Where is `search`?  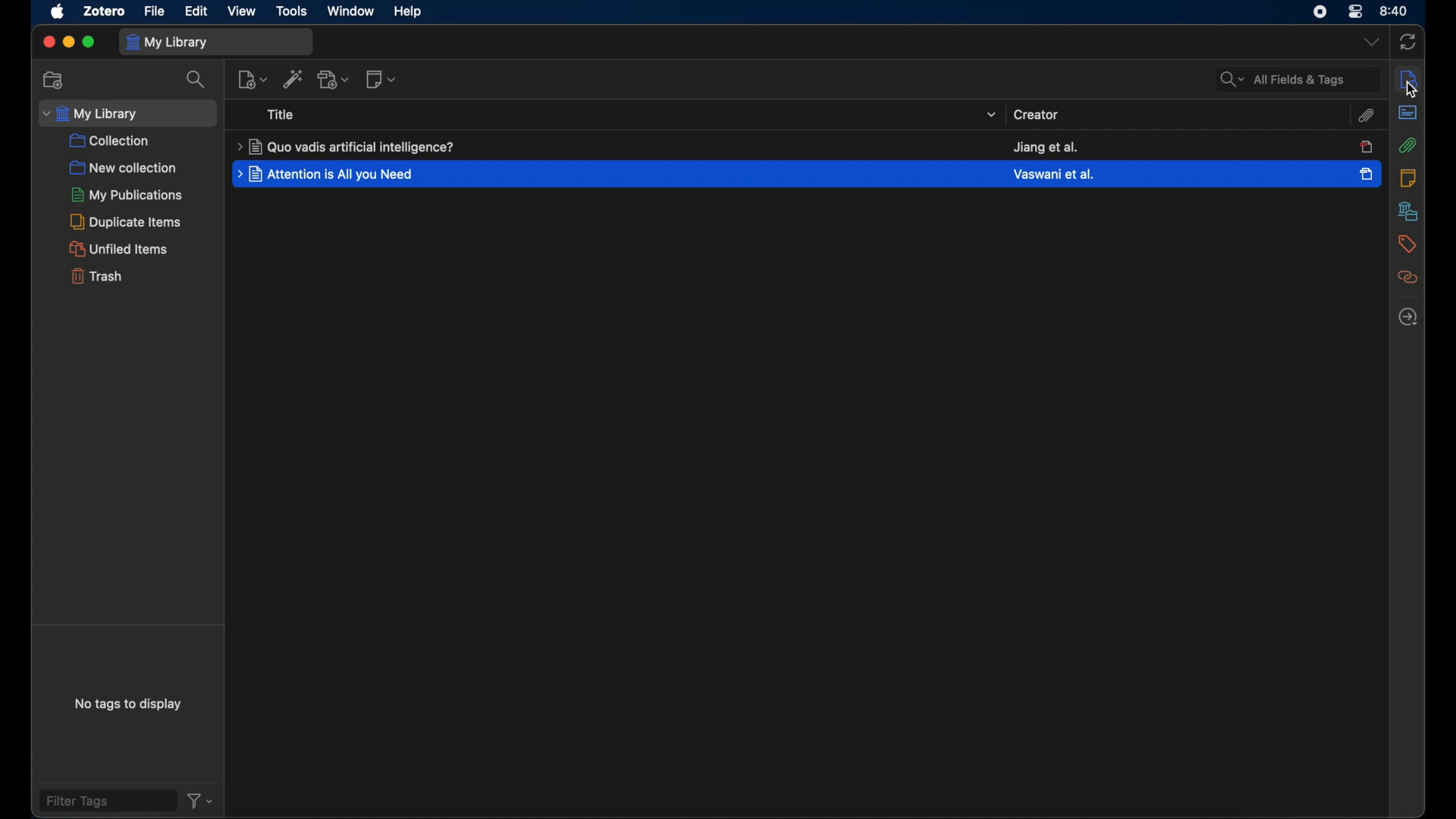 search is located at coordinates (195, 80).